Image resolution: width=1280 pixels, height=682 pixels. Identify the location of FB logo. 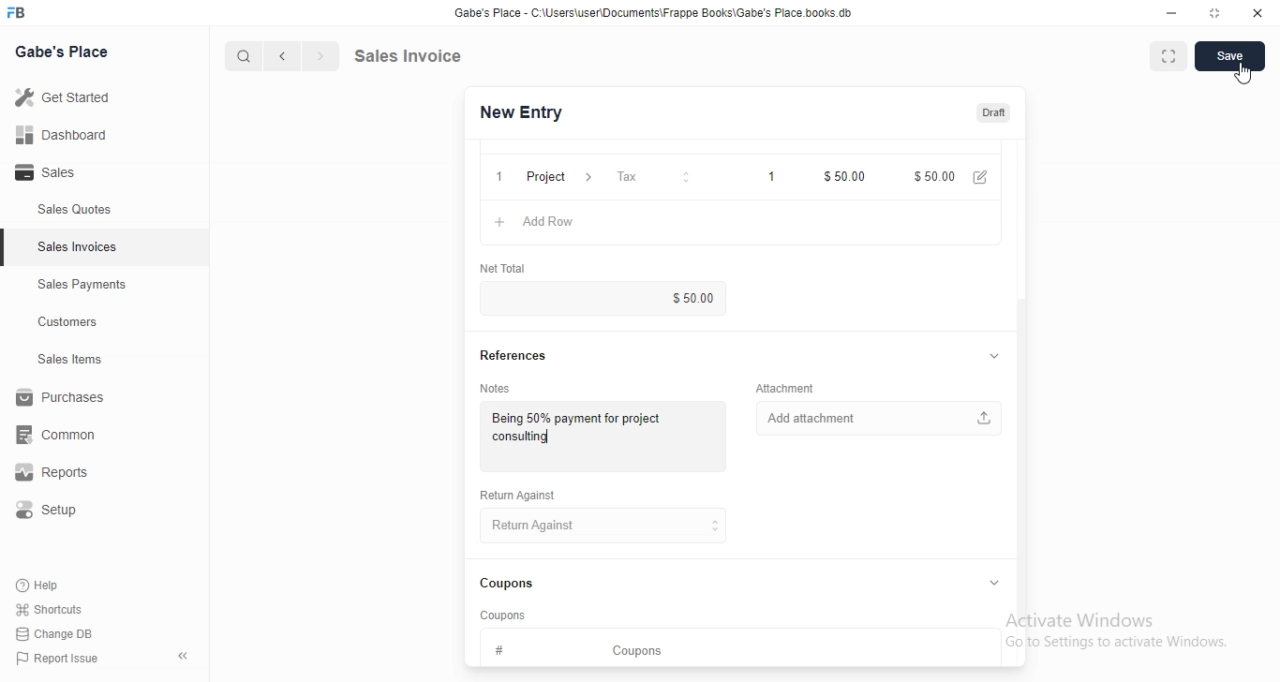
(20, 13).